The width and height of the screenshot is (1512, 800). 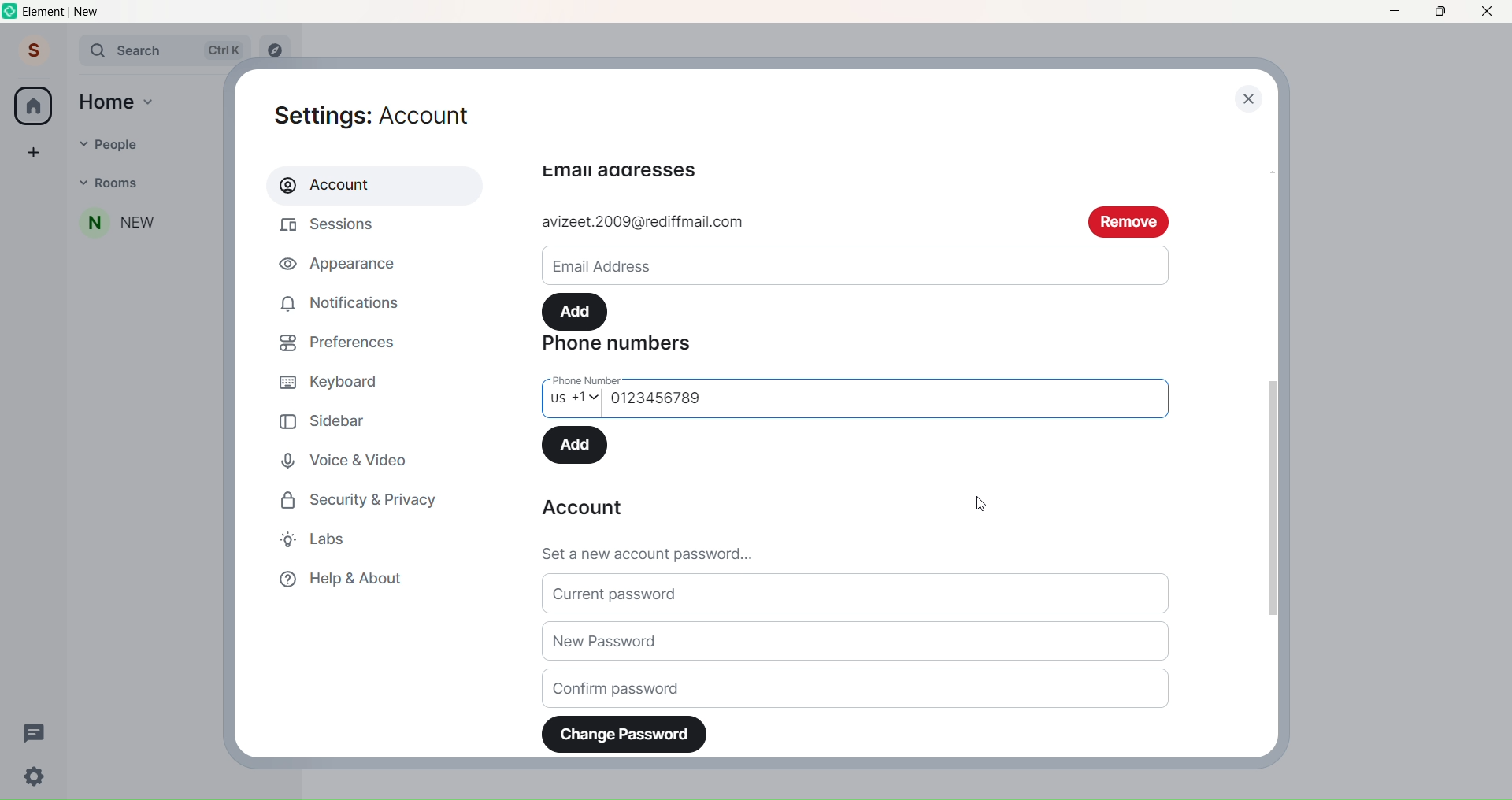 What do you see at coordinates (572, 404) in the screenshot?
I see `Select Country` at bounding box center [572, 404].